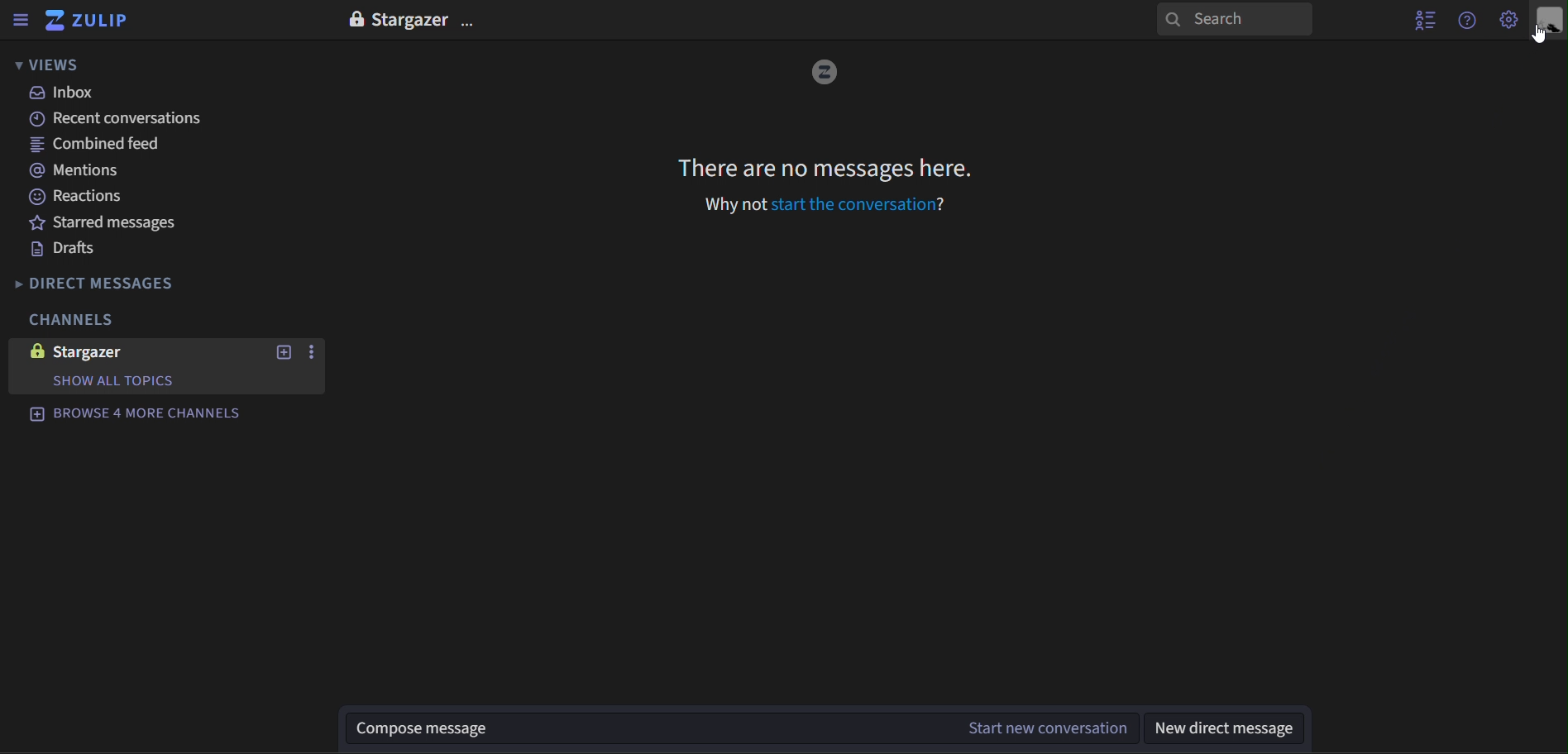  I want to click on inbox, so click(70, 93).